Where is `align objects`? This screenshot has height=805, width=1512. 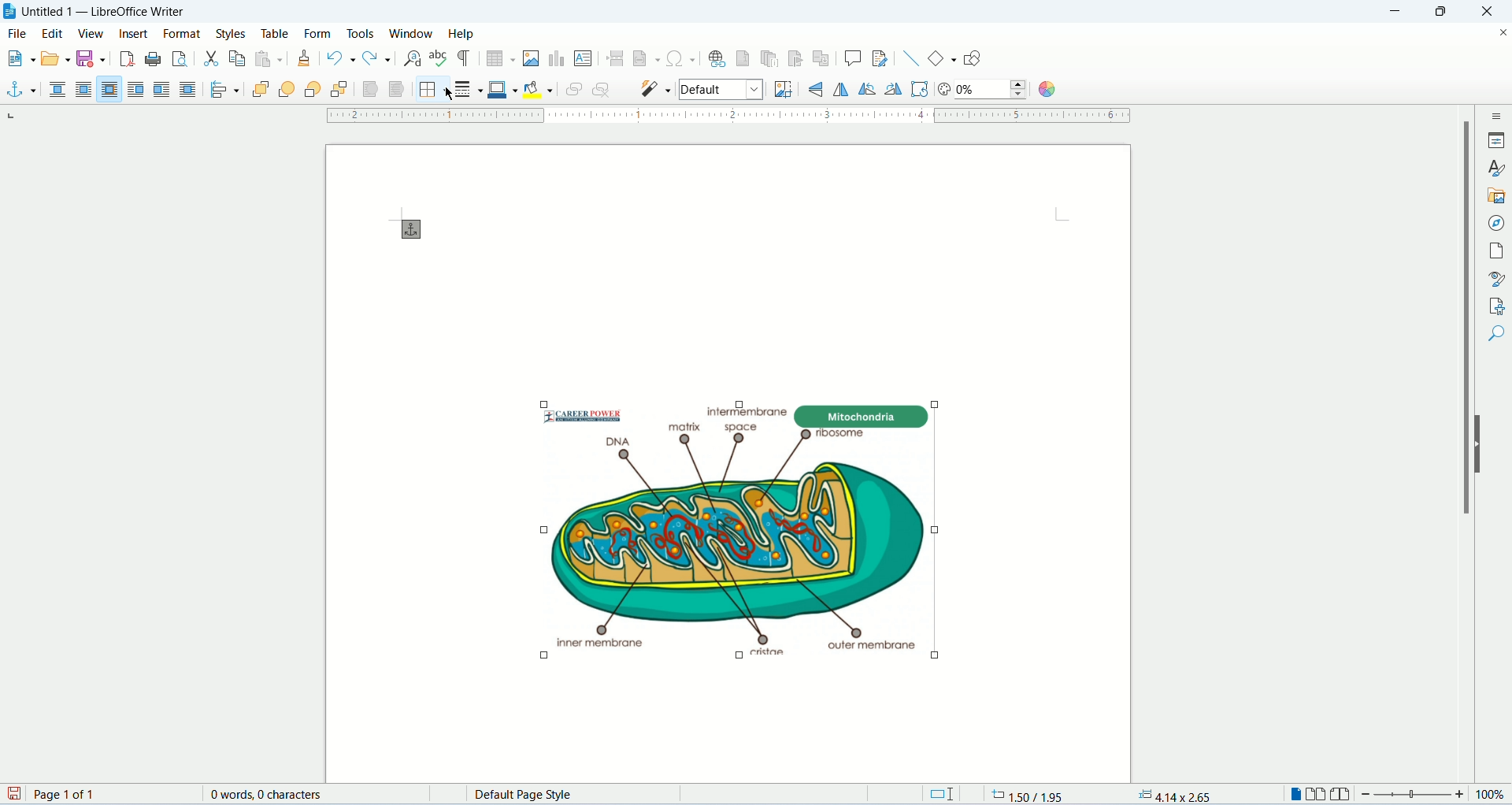 align objects is located at coordinates (223, 91).